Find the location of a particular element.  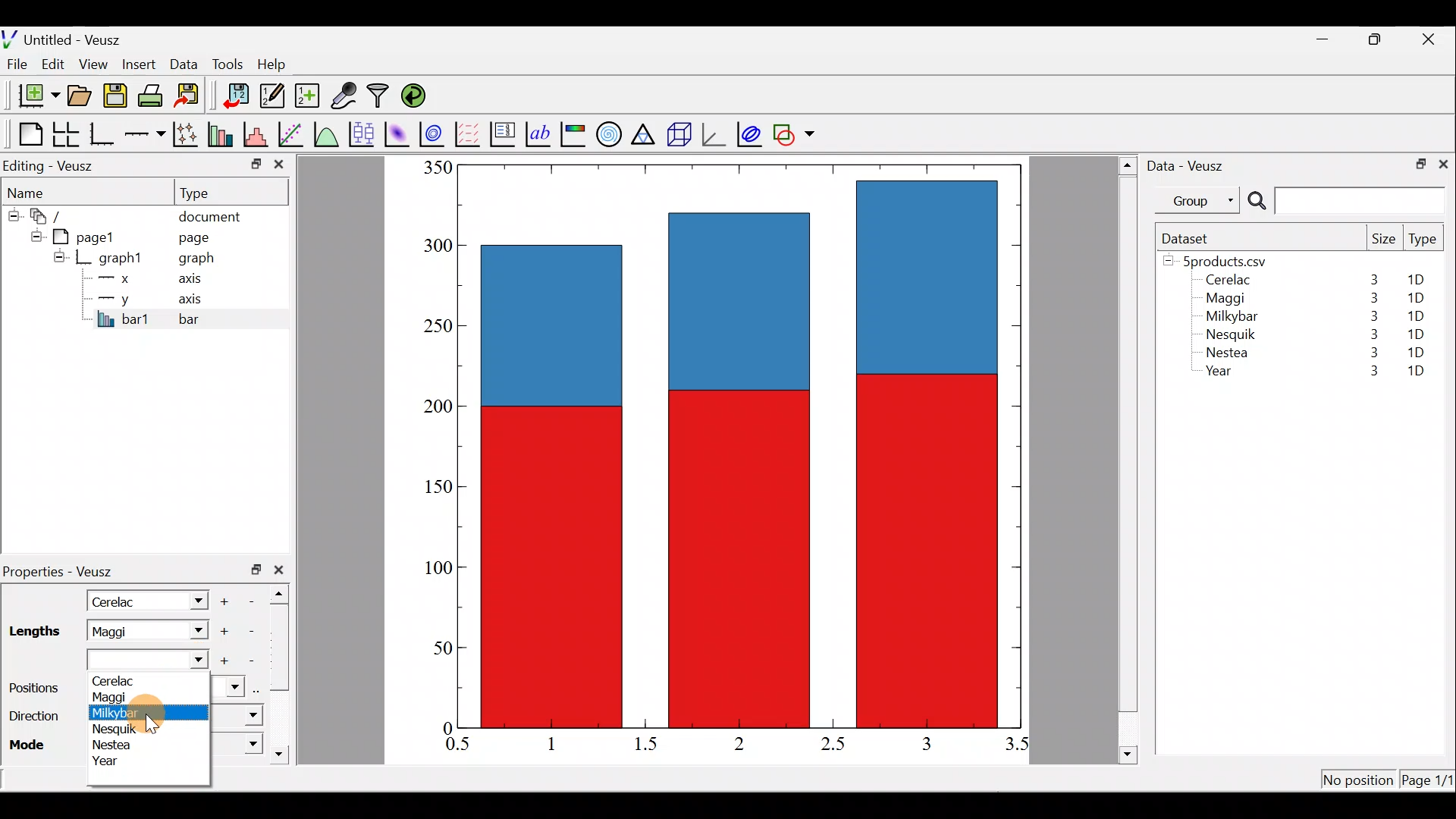

0.5 is located at coordinates (458, 746).